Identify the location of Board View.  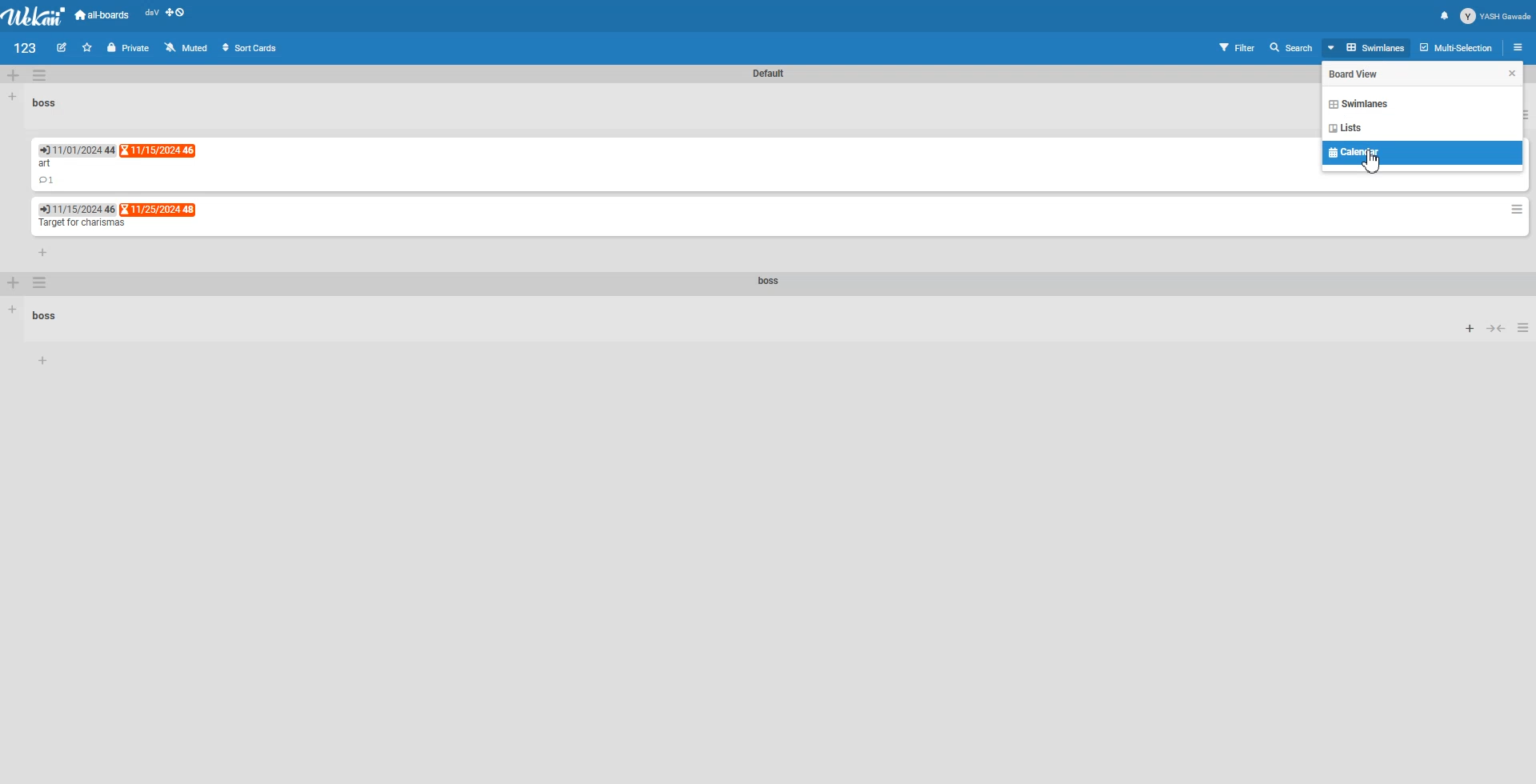
(1367, 50).